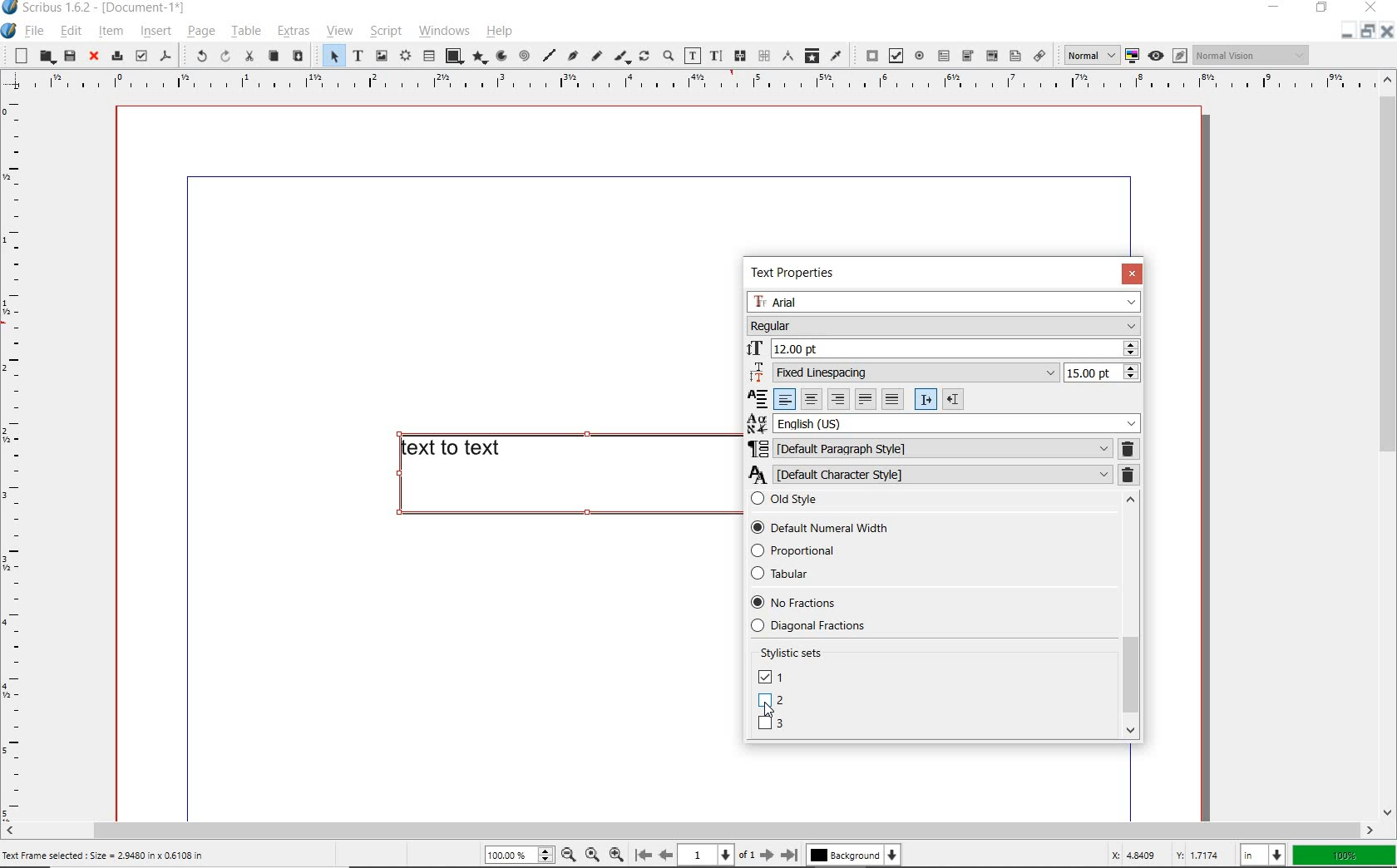  I want to click on undo, so click(195, 55).